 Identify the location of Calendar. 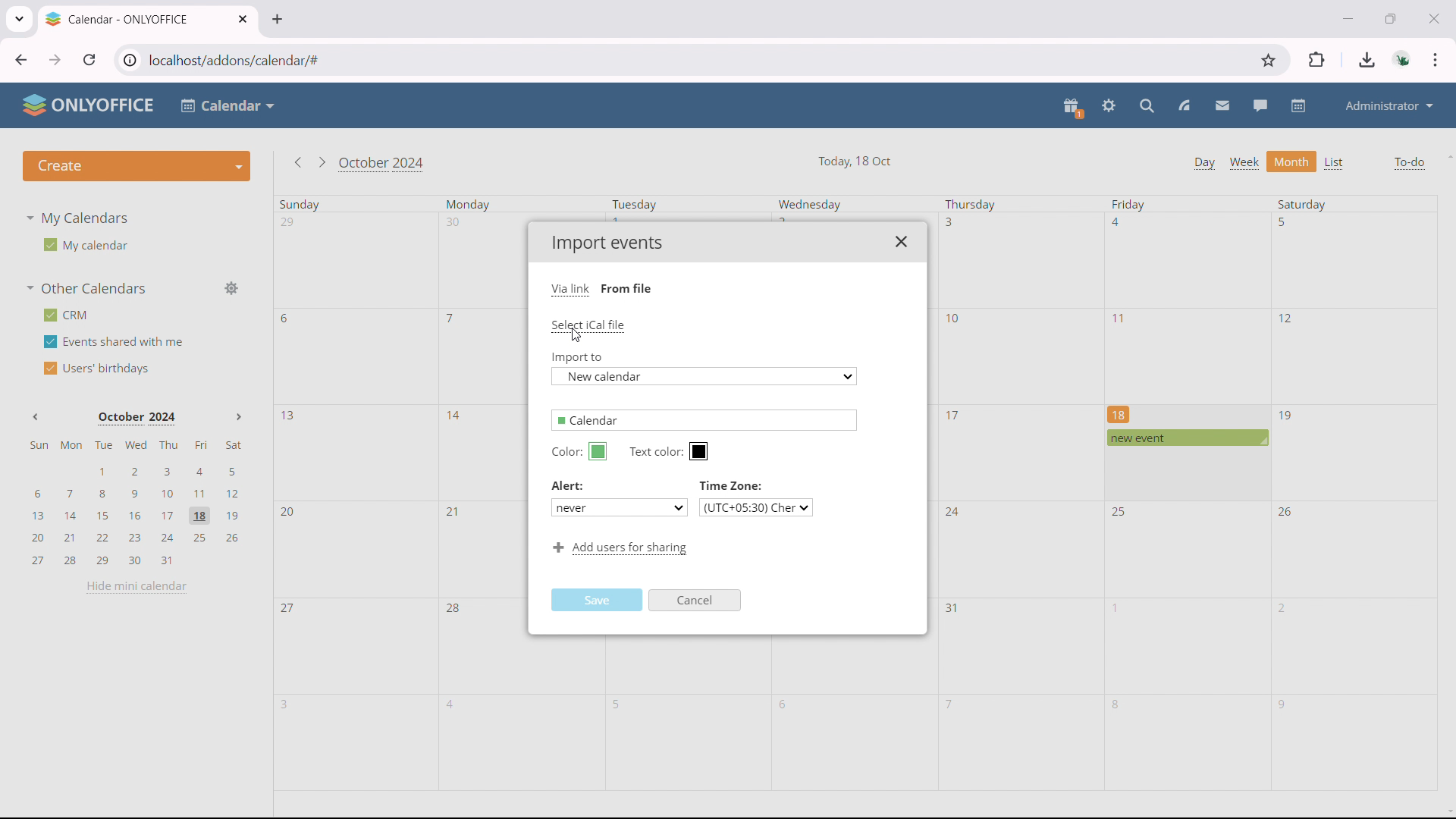
(229, 105).